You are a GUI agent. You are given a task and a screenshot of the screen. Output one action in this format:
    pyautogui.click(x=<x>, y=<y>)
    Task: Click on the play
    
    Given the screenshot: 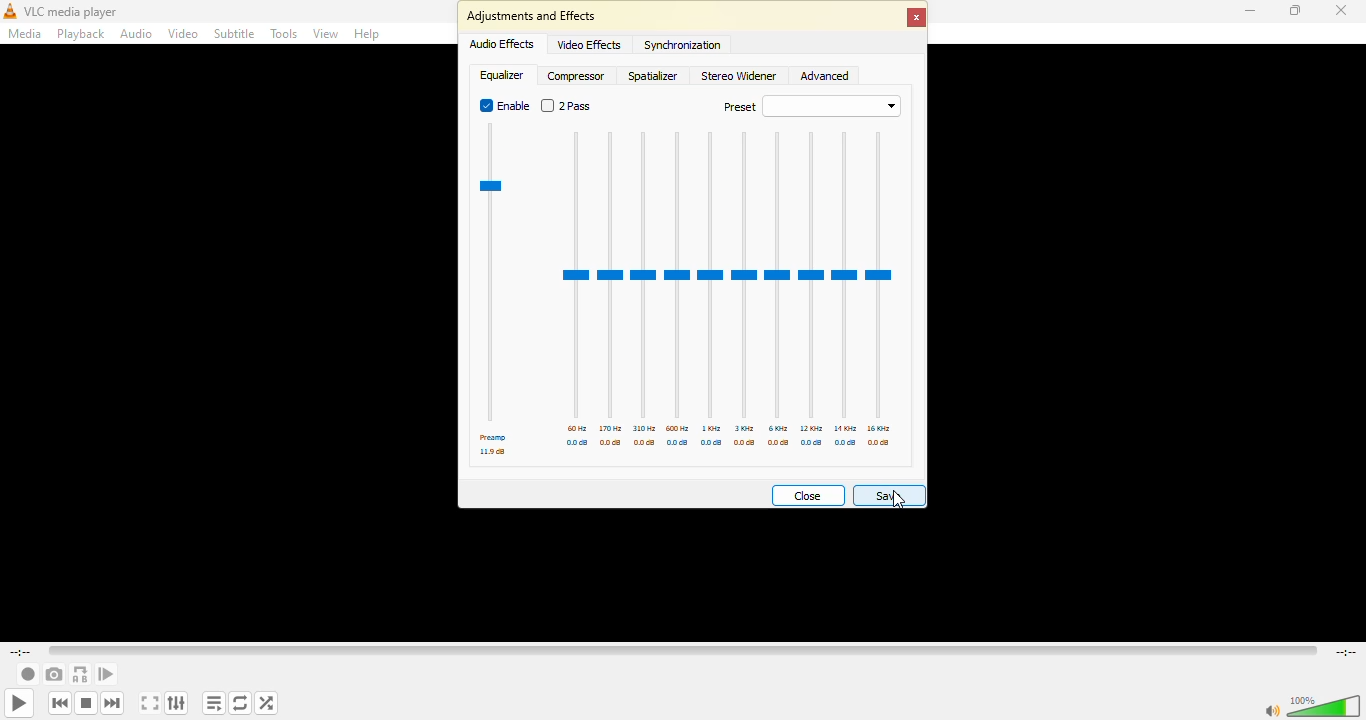 What is the action you would take?
    pyautogui.click(x=19, y=704)
    